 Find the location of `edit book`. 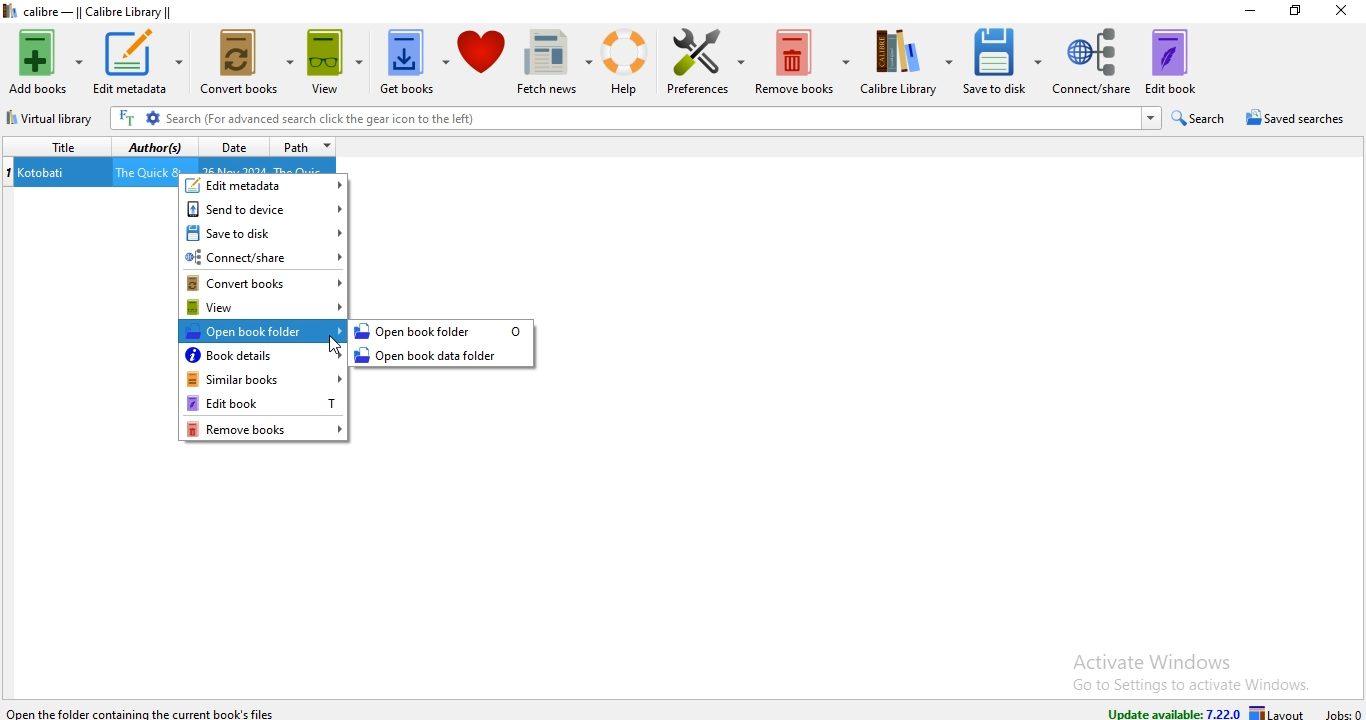

edit book is located at coordinates (1171, 61).